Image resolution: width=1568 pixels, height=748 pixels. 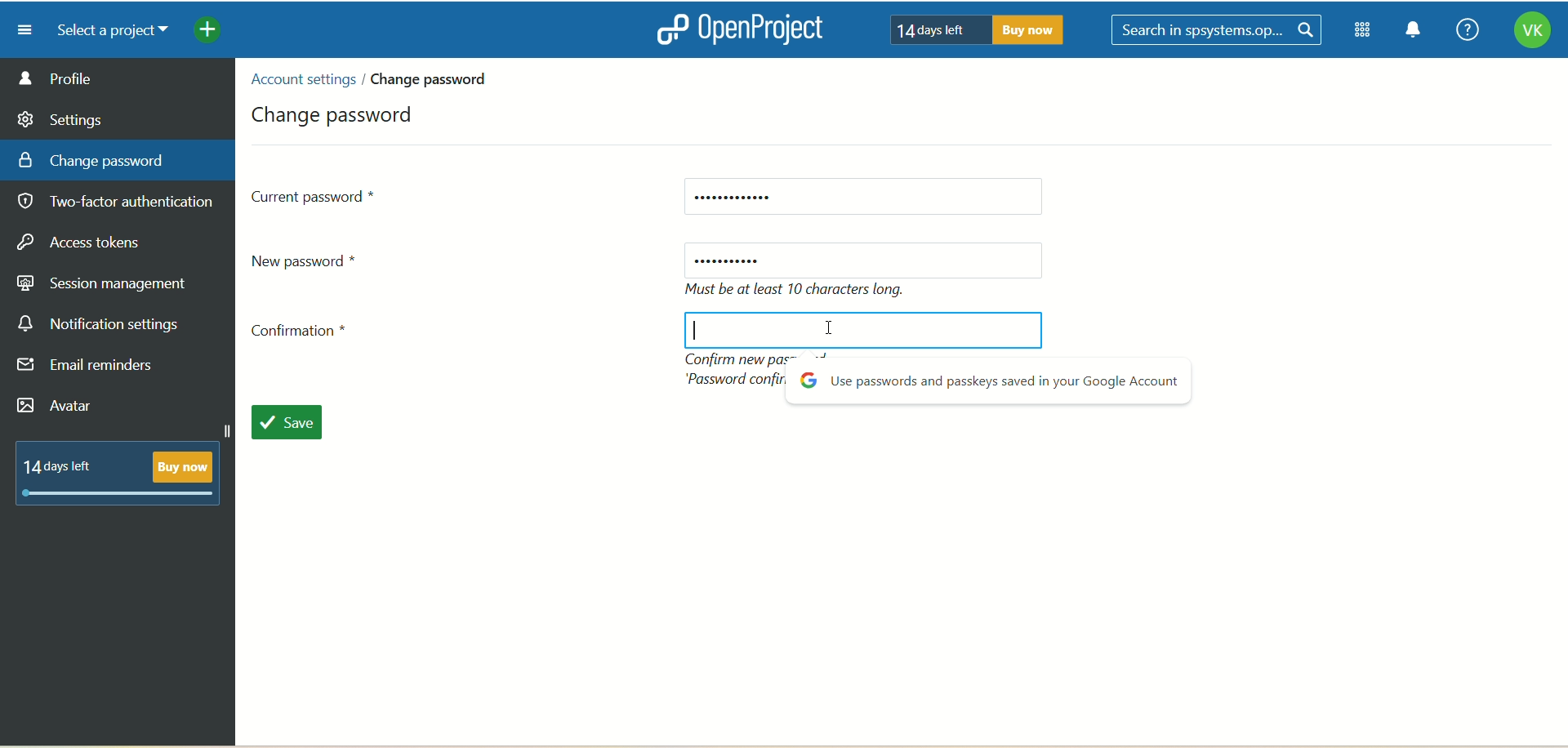 I want to click on session management, so click(x=104, y=281).